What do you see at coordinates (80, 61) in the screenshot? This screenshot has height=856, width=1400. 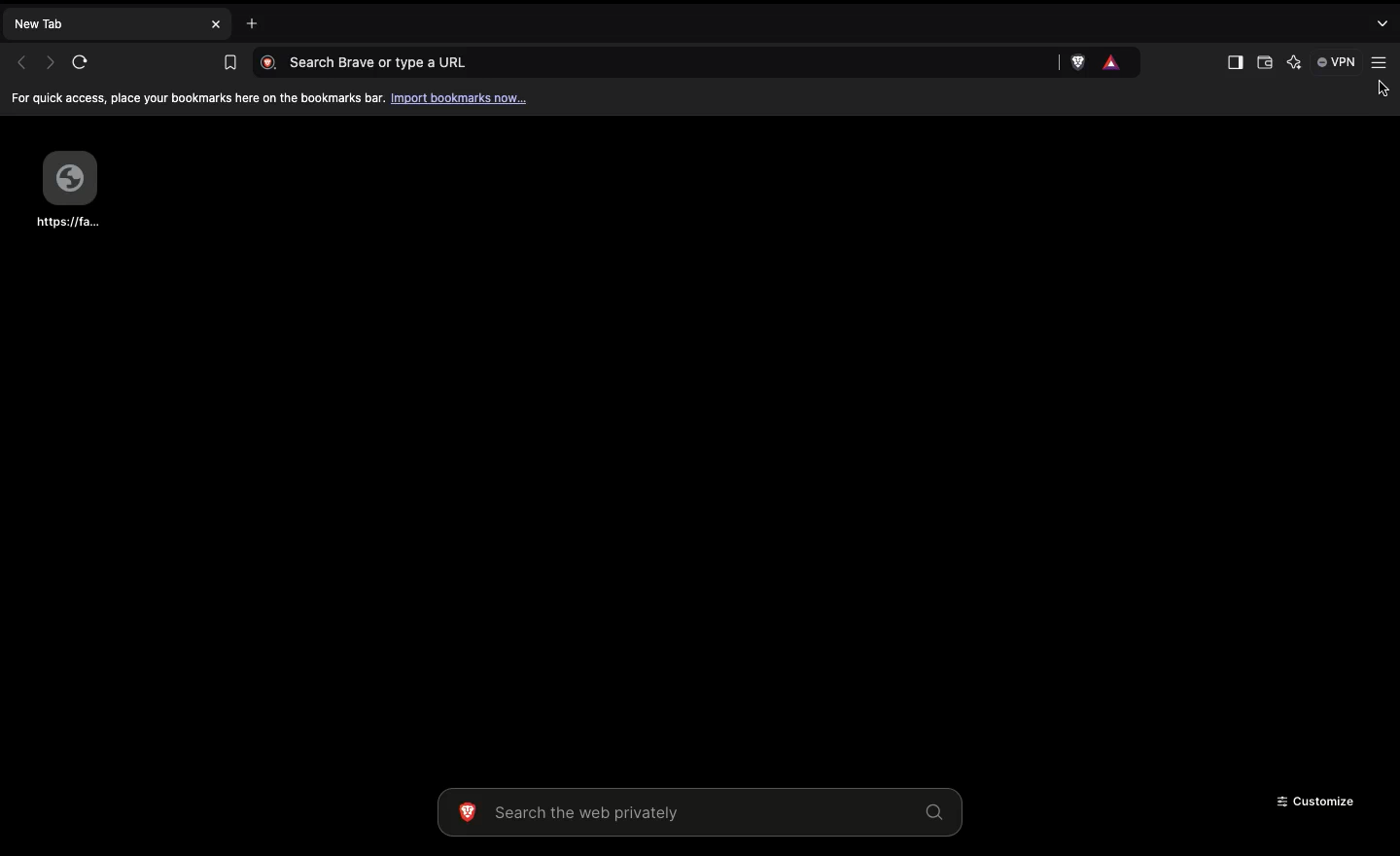 I see `Refresh page` at bounding box center [80, 61].